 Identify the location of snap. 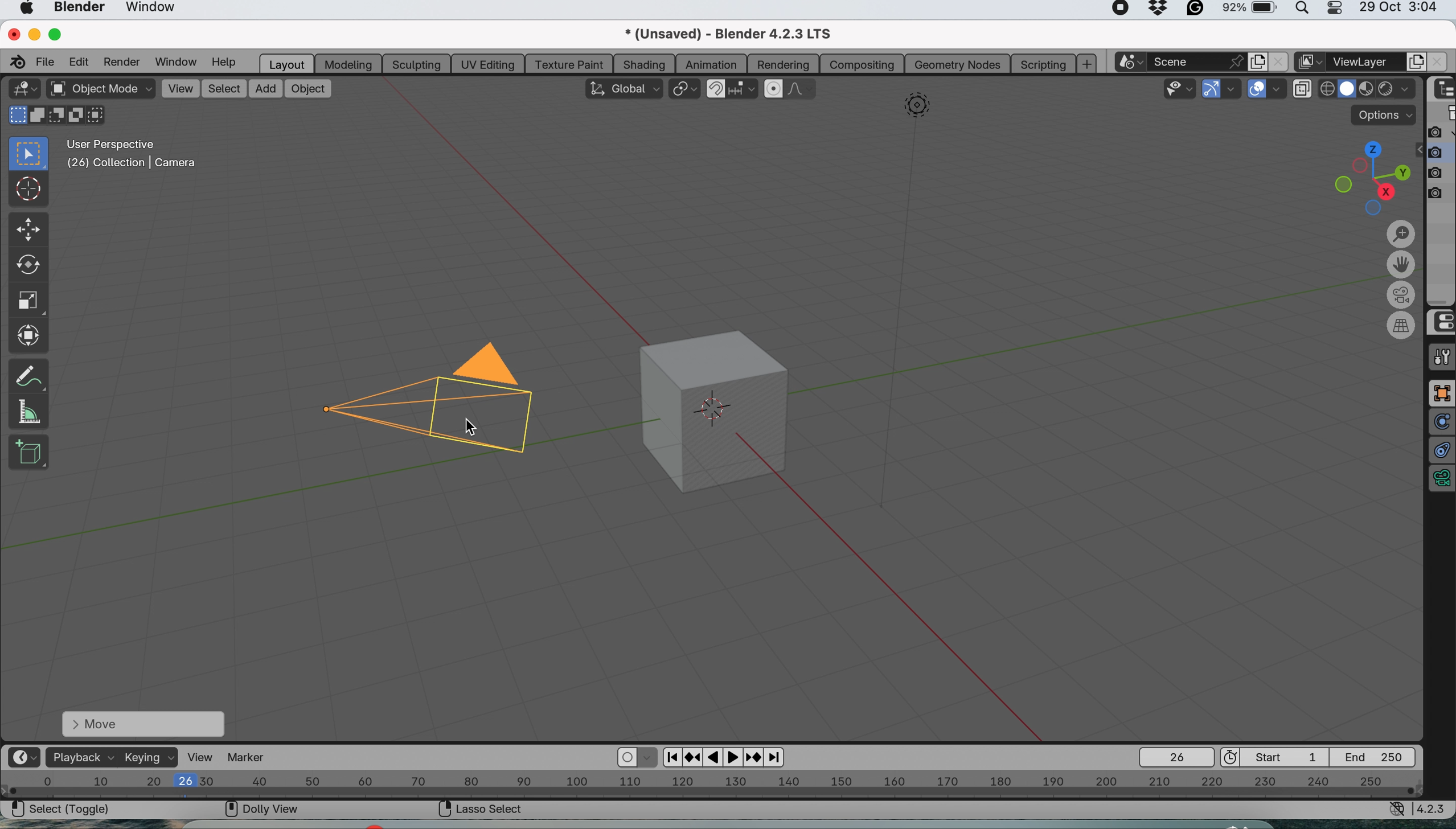
(716, 87).